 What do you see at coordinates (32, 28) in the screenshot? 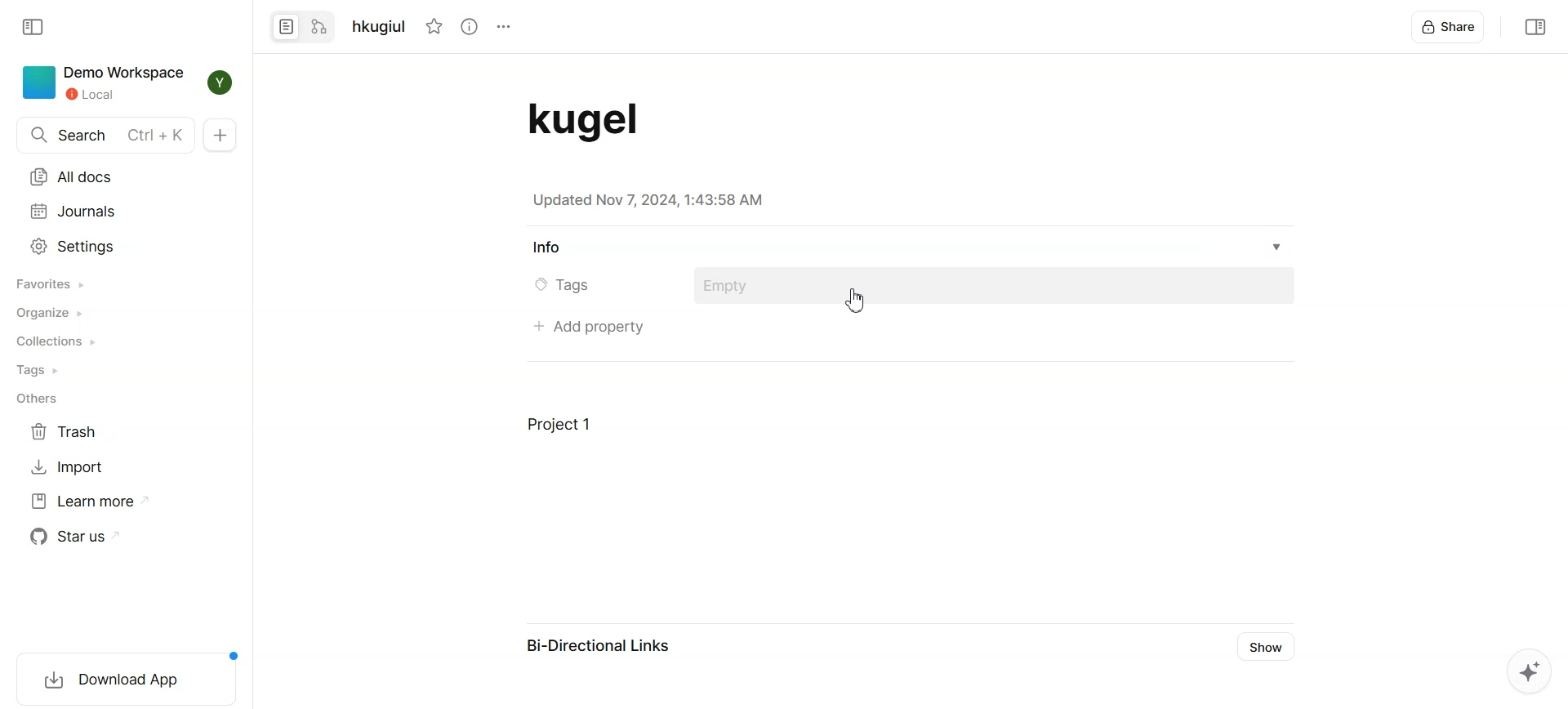
I see `Collapse sidebar` at bounding box center [32, 28].